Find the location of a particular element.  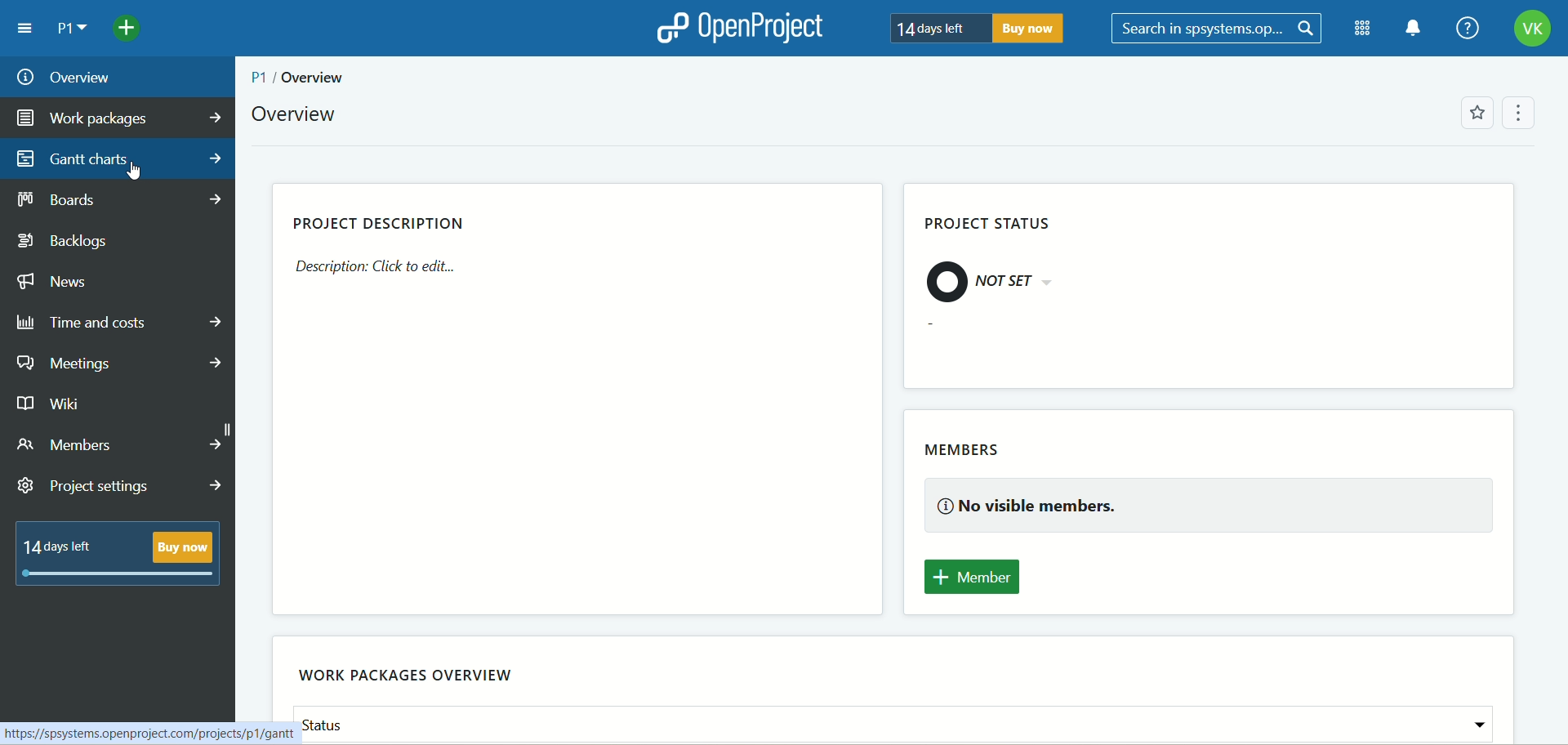

location is located at coordinates (301, 78).